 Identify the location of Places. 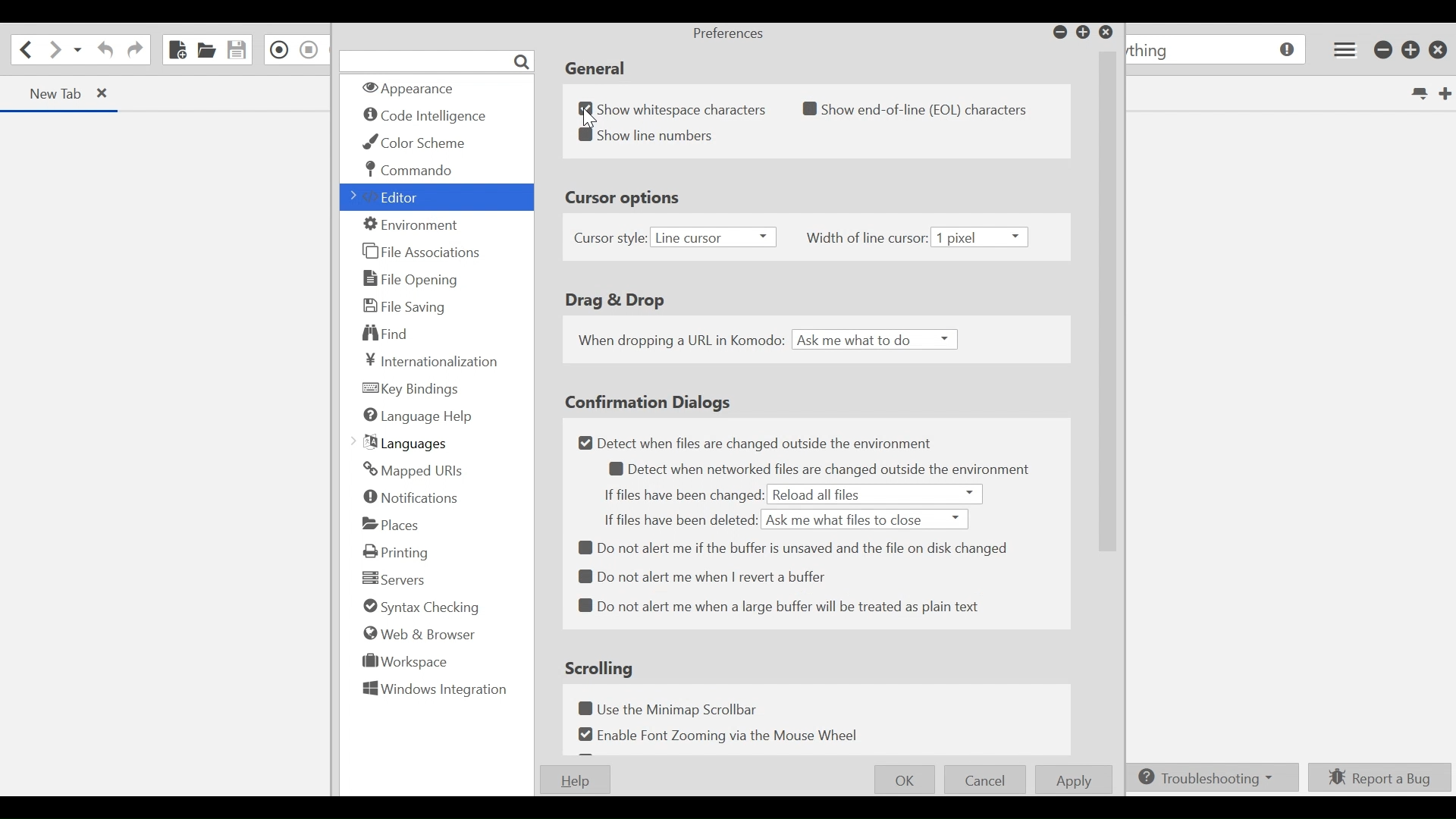
(392, 524).